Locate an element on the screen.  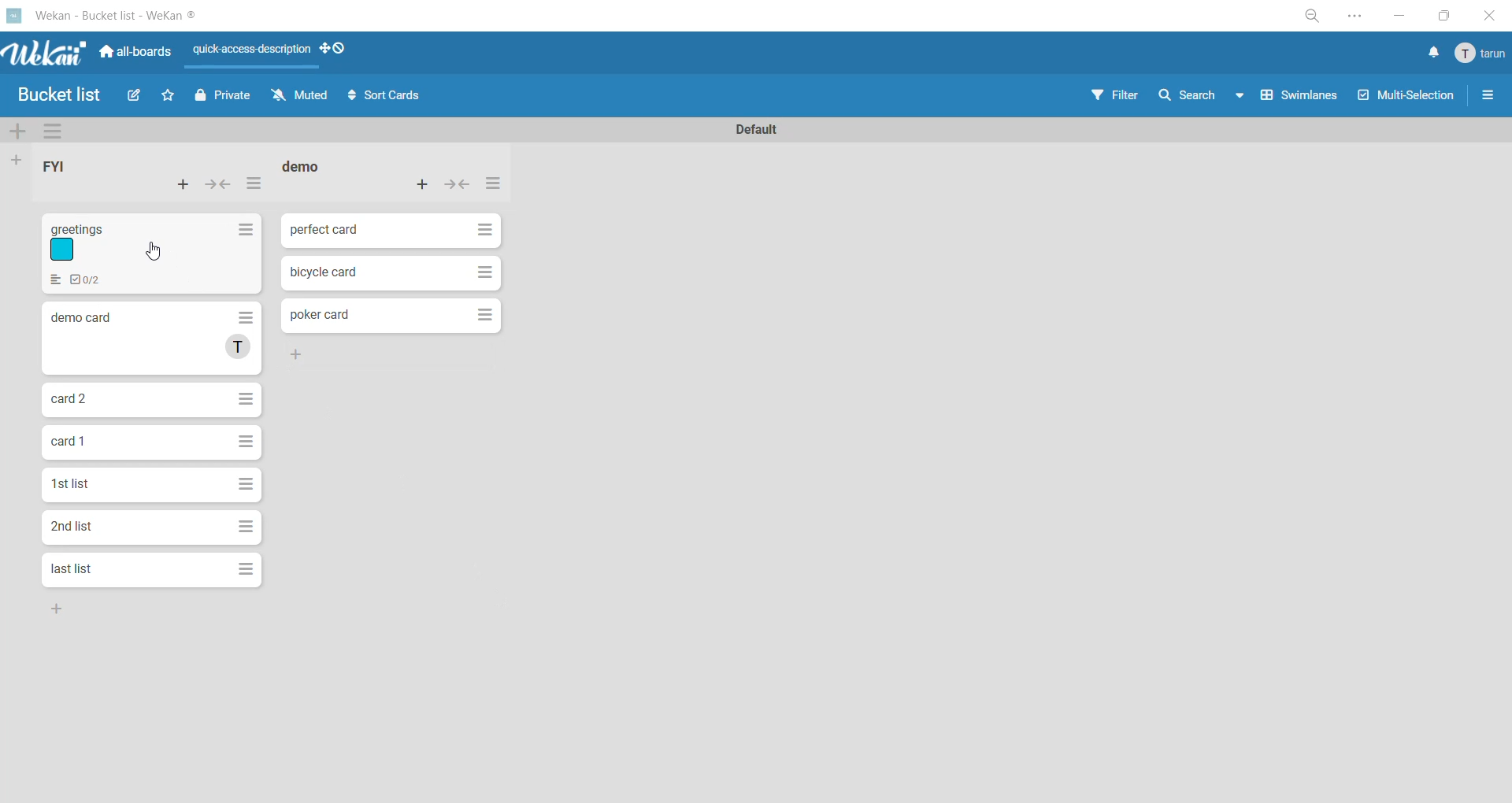
minimize is located at coordinates (1406, 17).